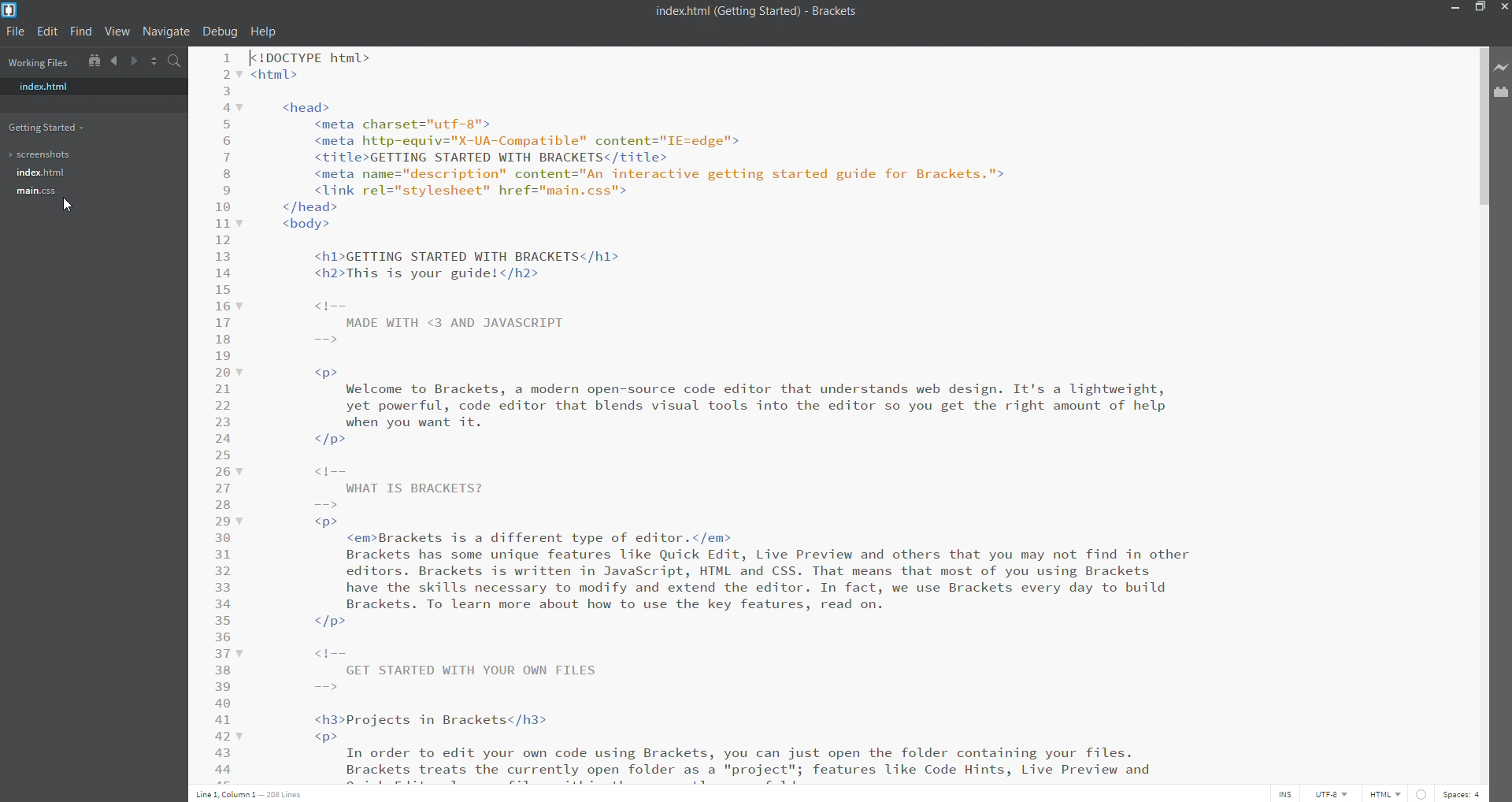  I want to click on file type: HTML, so click(1385, 793).